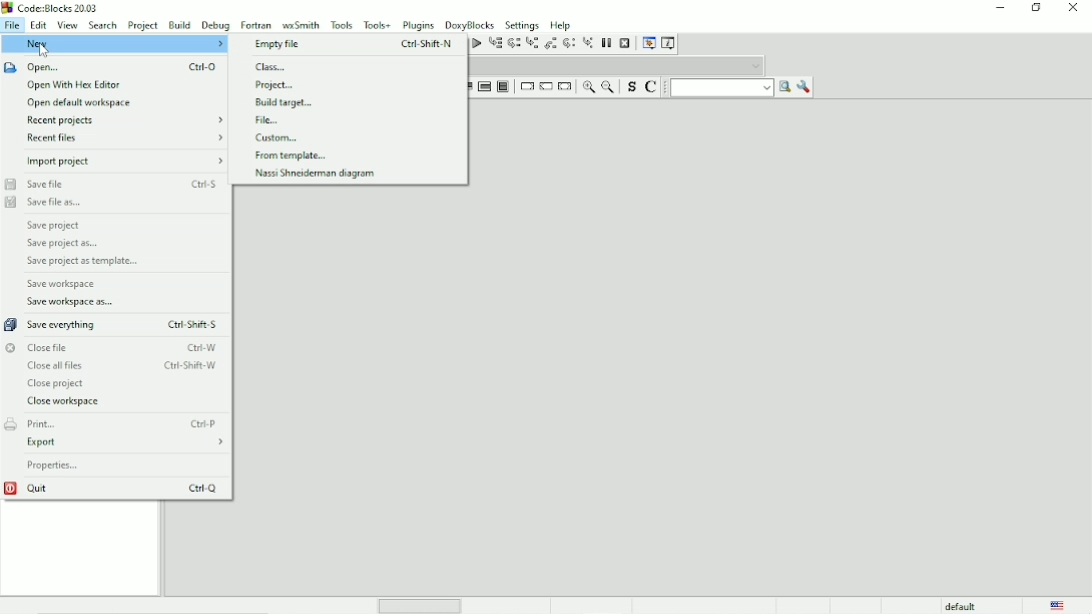 The height and width of the screenshot is (614, 1092). What do you see at coordinates (62, 244) in the screenshot?
I see `Save project as` at bounding box center [62, 244].